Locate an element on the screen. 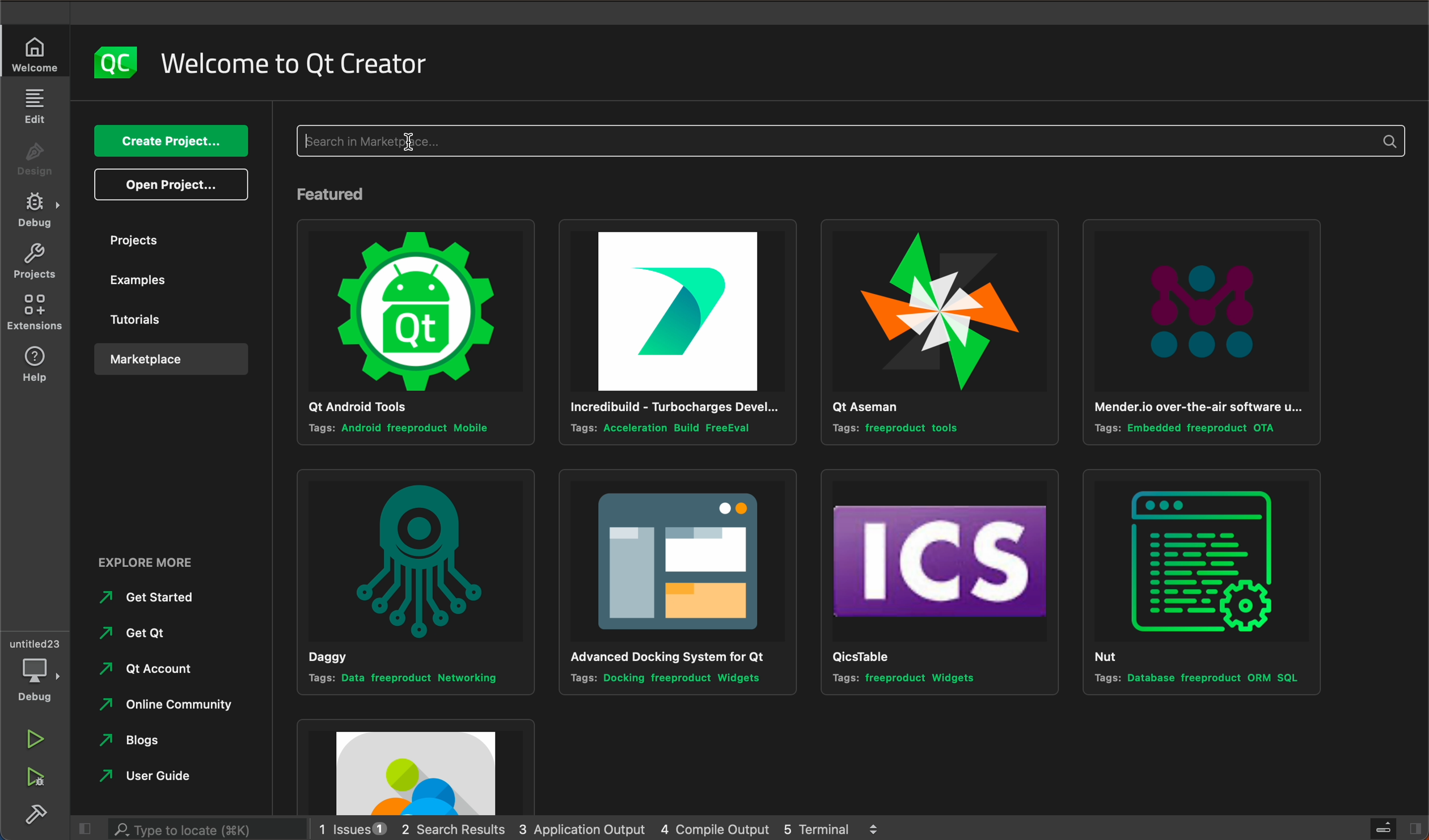 Image resolution: width=1429 pixels, height=840 pixels. run debug is located at coordinates (34, 781).